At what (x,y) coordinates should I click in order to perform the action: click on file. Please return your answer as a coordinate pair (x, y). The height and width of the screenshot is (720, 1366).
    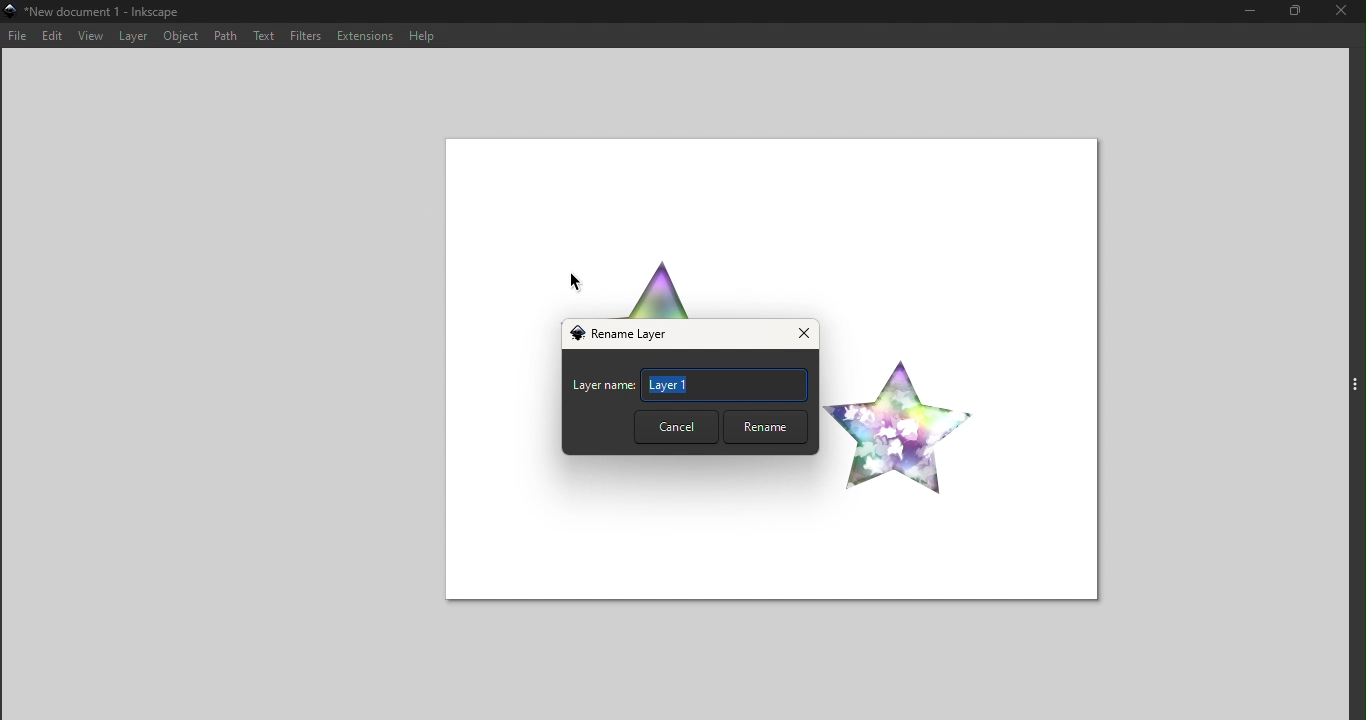
    Looking at the image, I should click on (18, 37).